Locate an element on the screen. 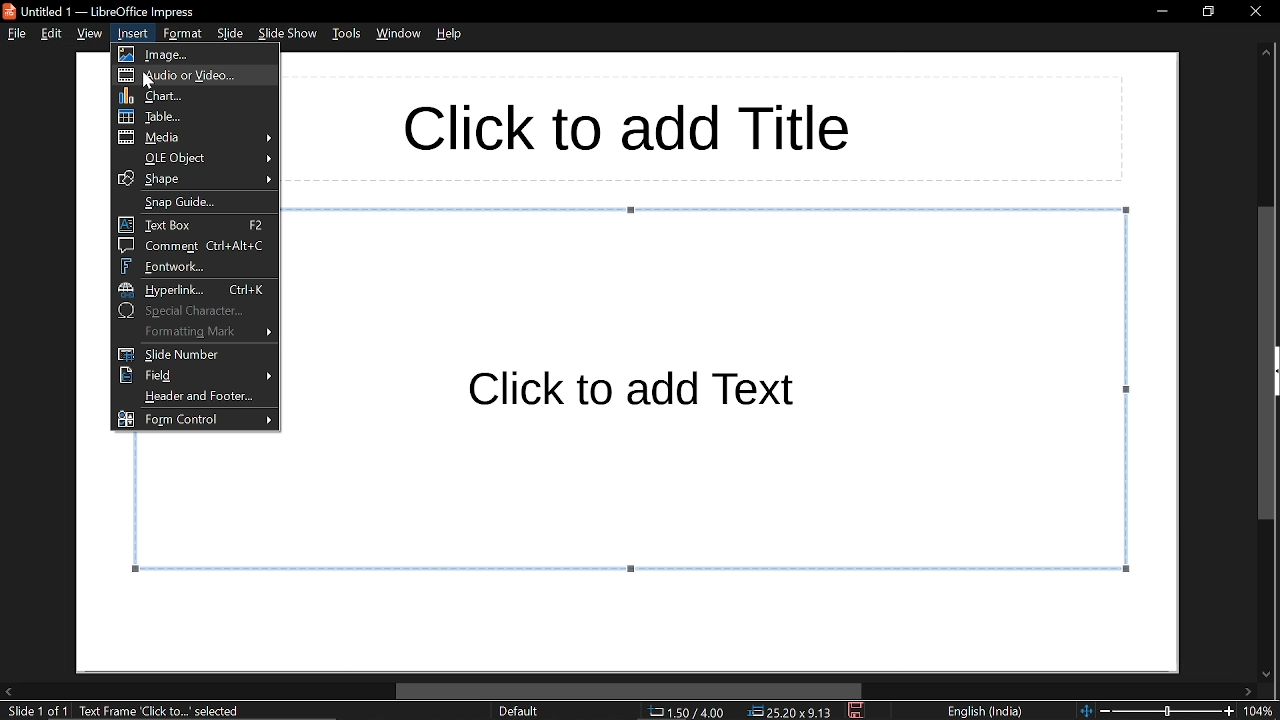 Image resolution: width=1280 pixels, height=720 pixels. minimize is located at coordinates (1158, 13).